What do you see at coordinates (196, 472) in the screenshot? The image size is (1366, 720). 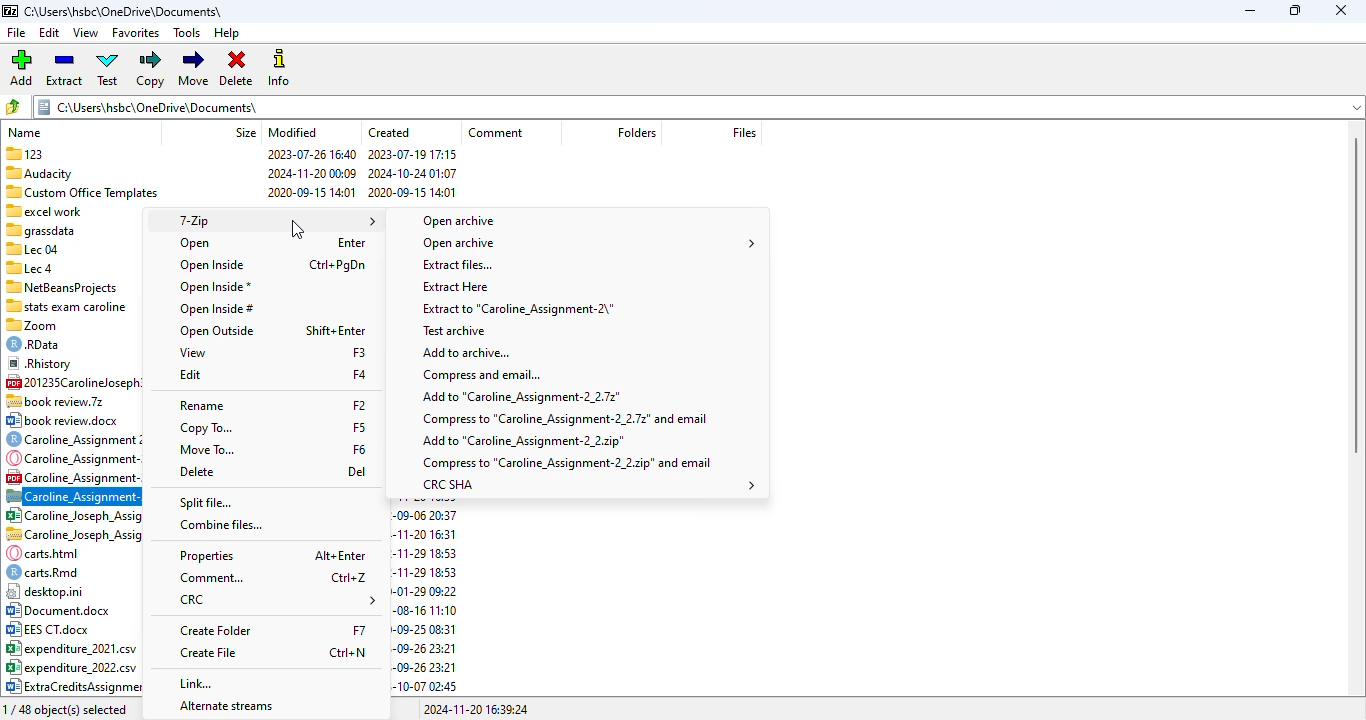 I see `delete` at bounding box center [196, 472].